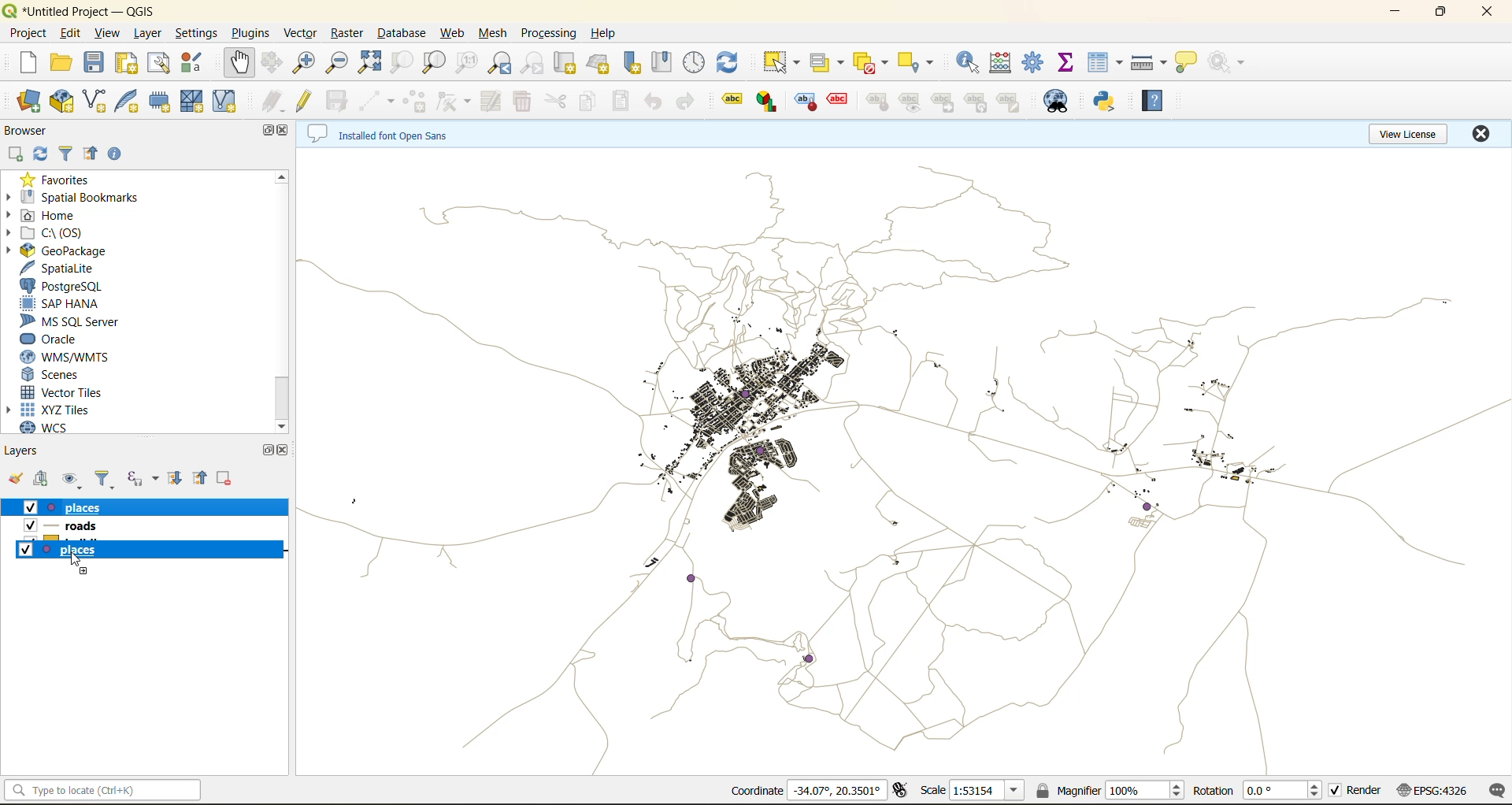  I want to click on expand all, so click(178, 479).